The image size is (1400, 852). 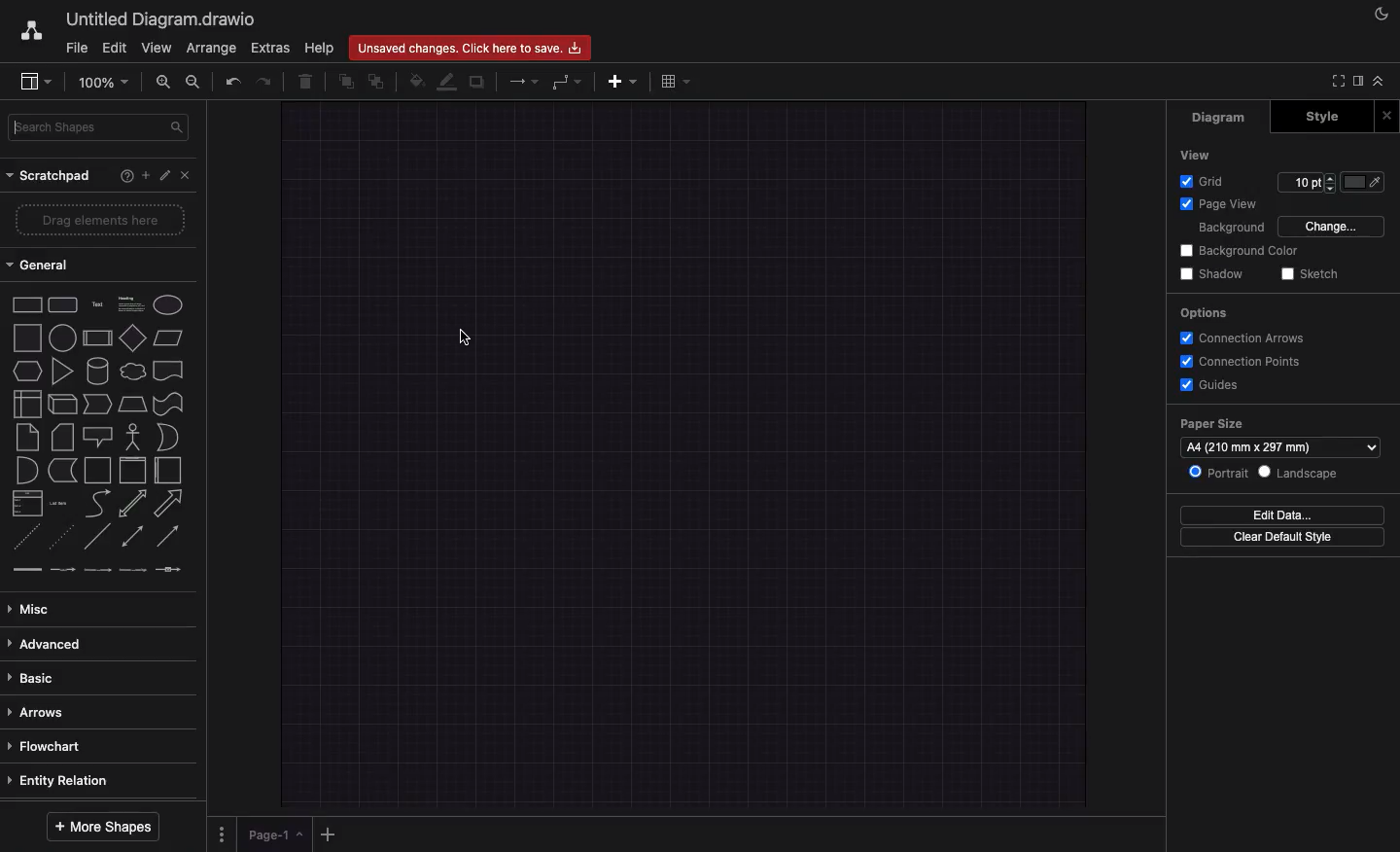 I want to click on To front, so click(x=345, y=83).